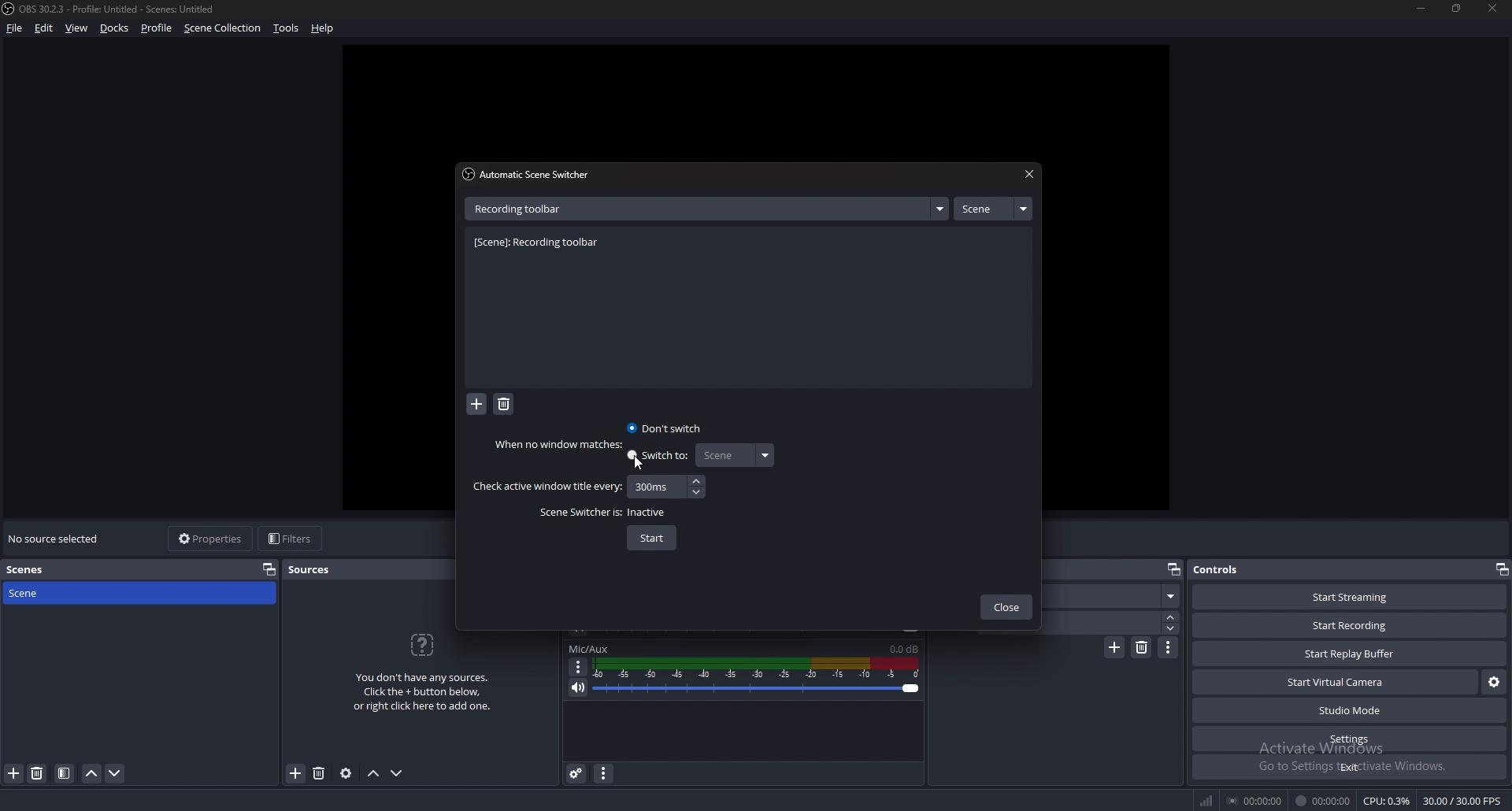  I want to click on mic/aux, so click(589, 649).